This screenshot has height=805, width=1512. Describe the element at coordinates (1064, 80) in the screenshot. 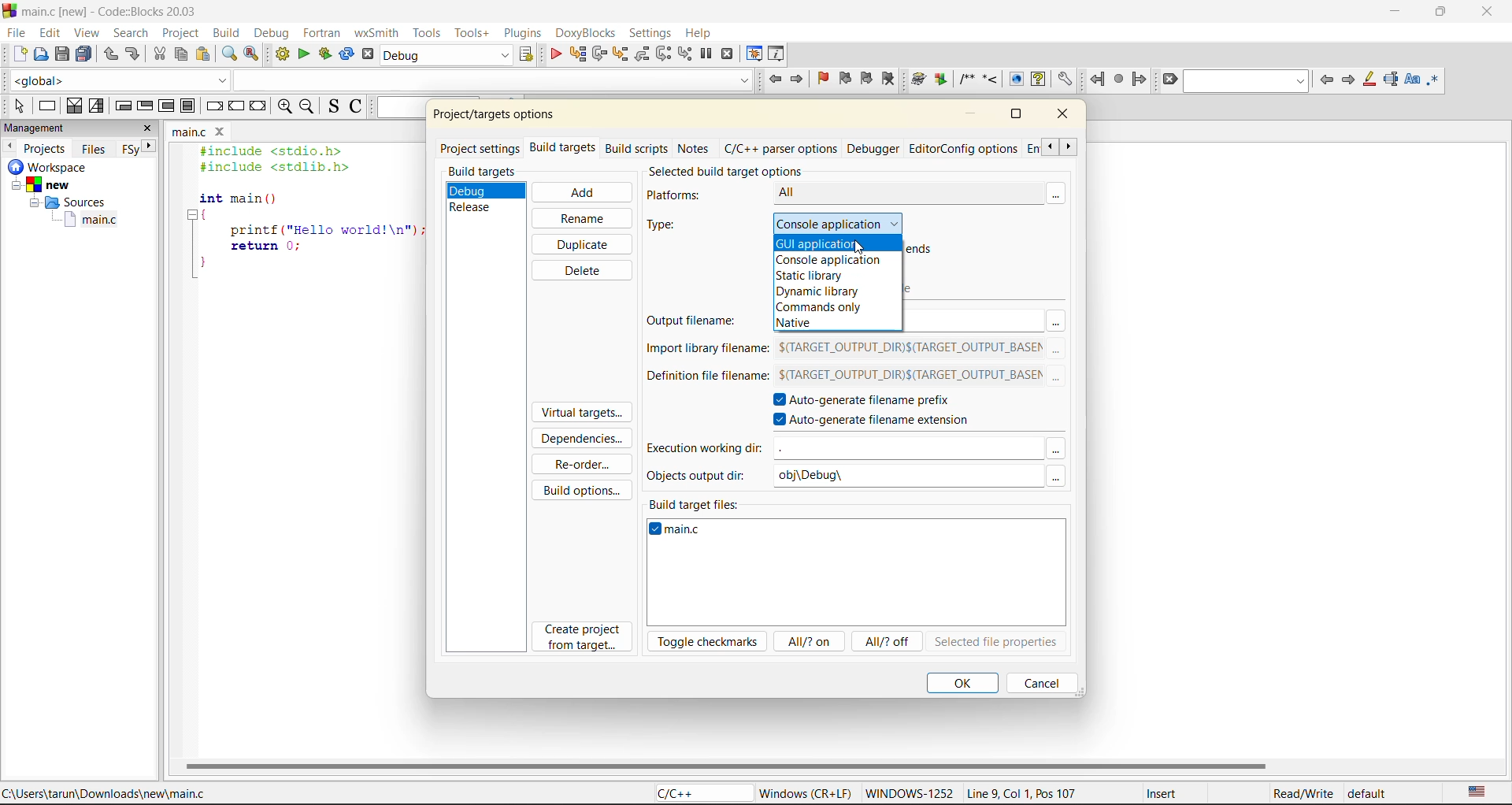

I see `Open DoxyBlocks' preferences` at that location.